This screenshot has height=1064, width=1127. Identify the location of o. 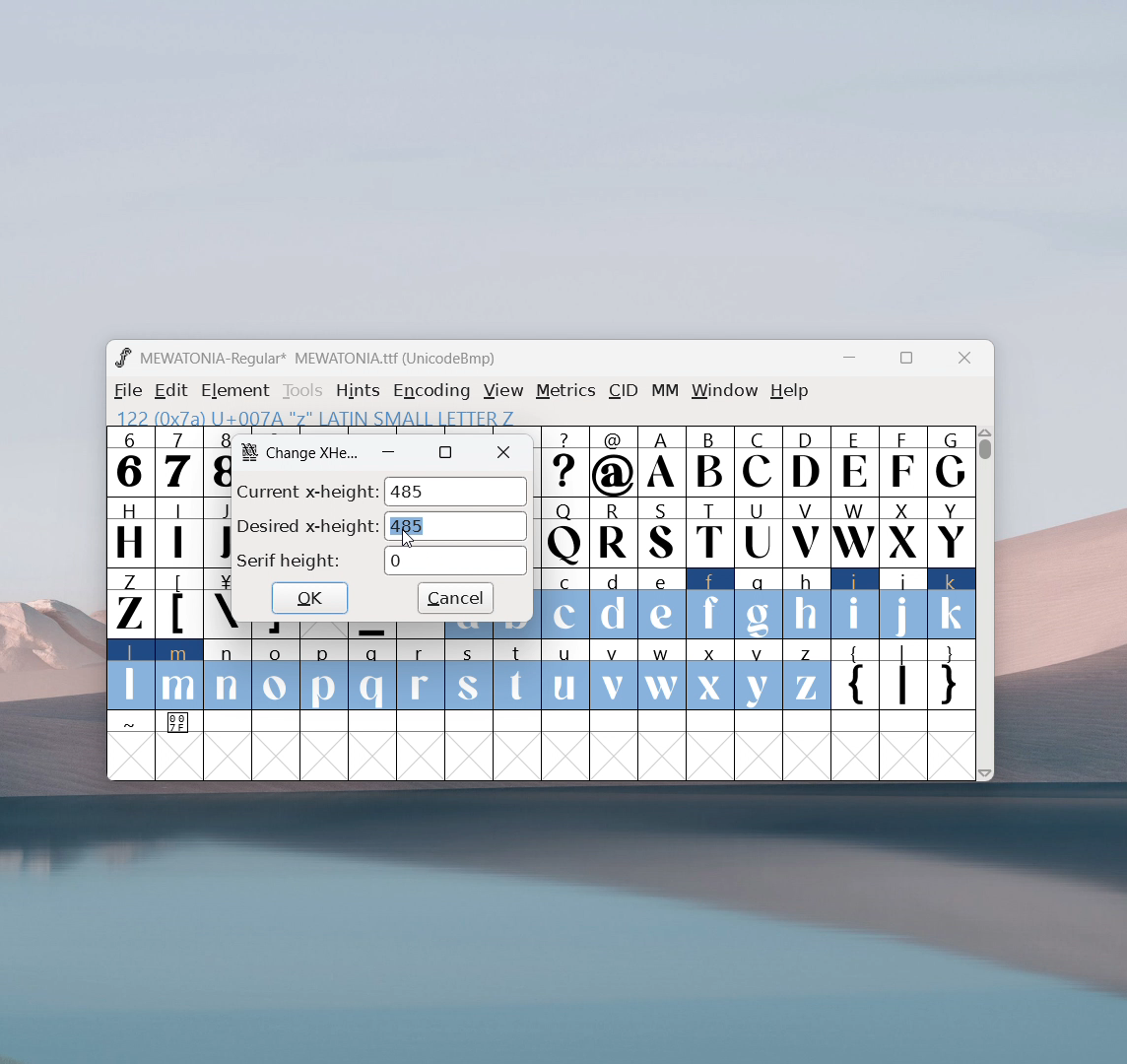
(277, 677).